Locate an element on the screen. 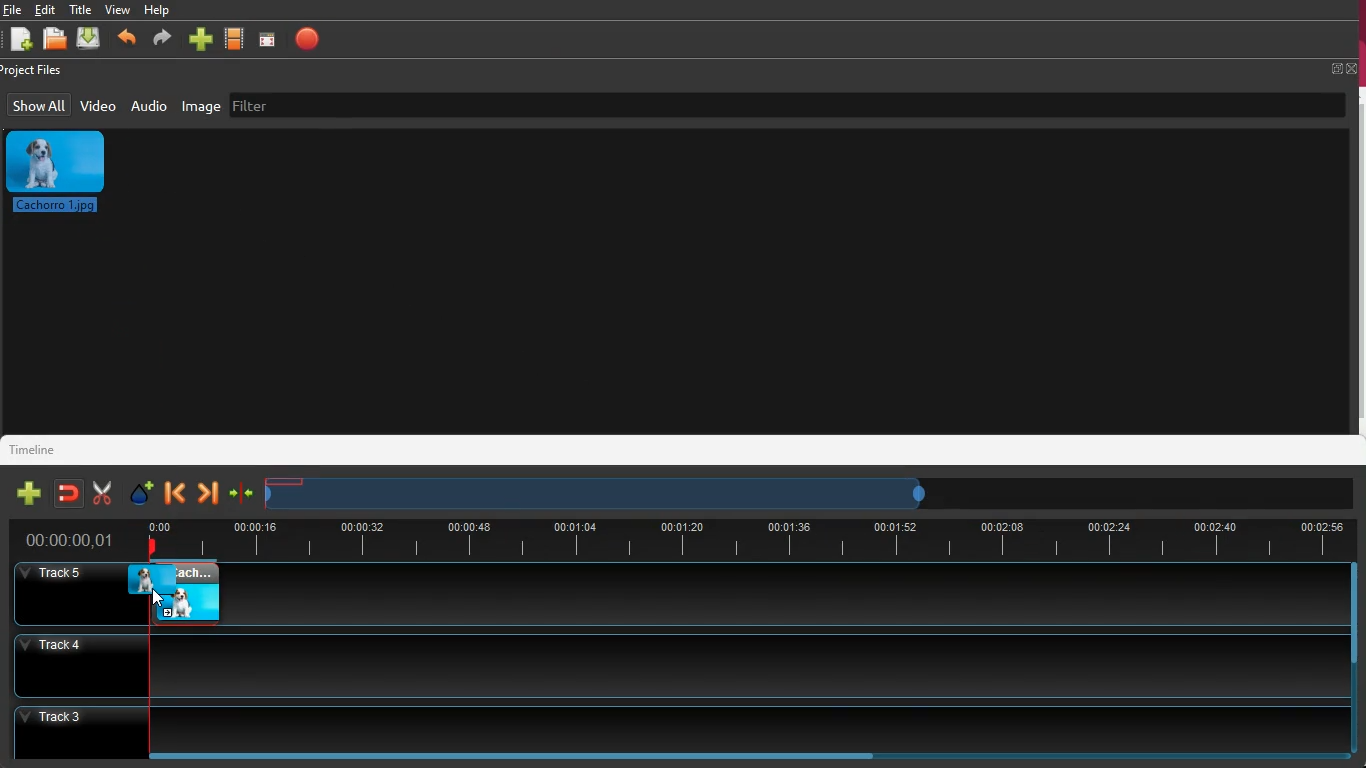 The width and height of the screenshot is (1366, 768). full screen is located at coordinates (1342, 69).